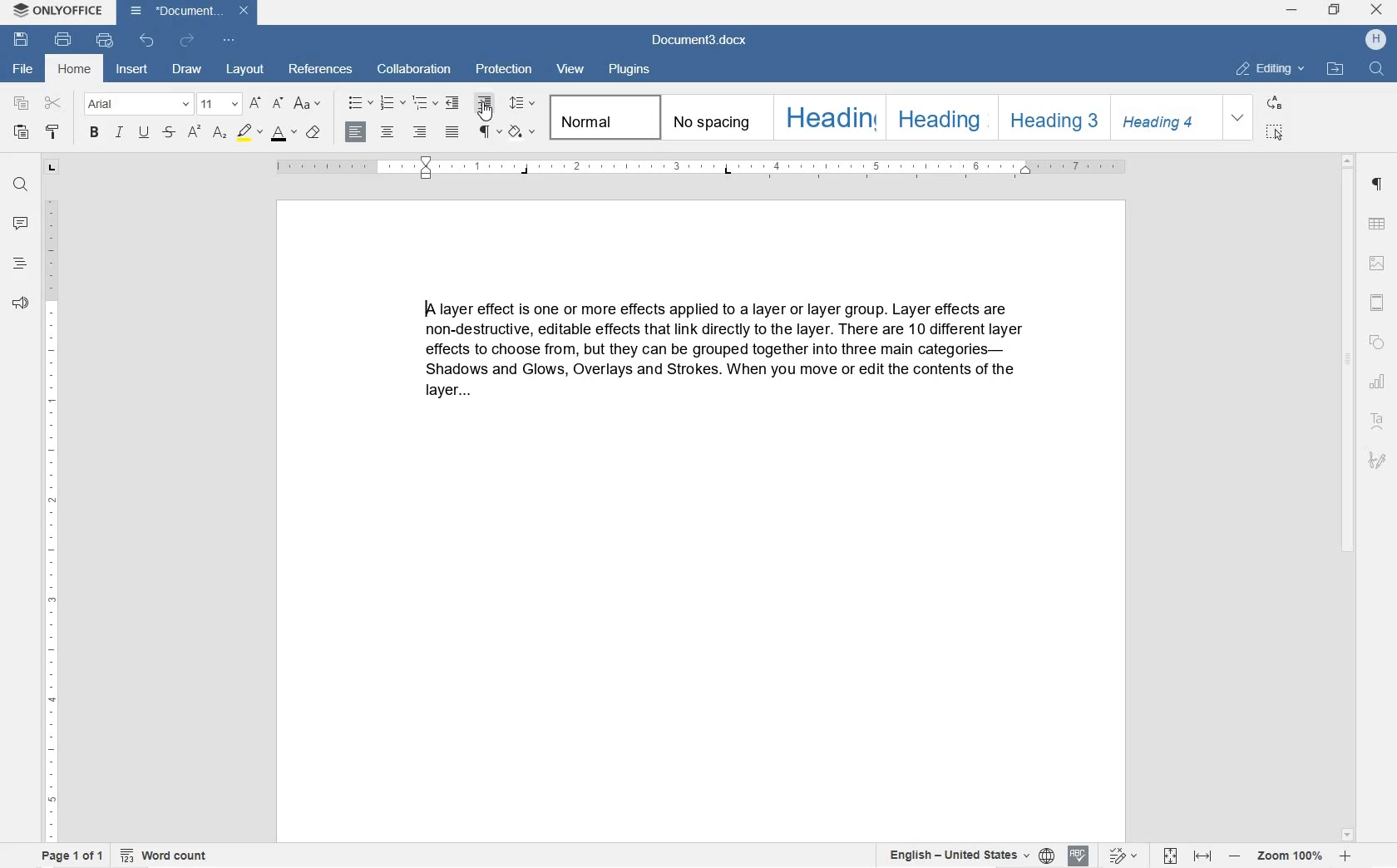 This screenshot has width=1397, height=868. I want to click on CHANGE CASE, so click(310, 105).